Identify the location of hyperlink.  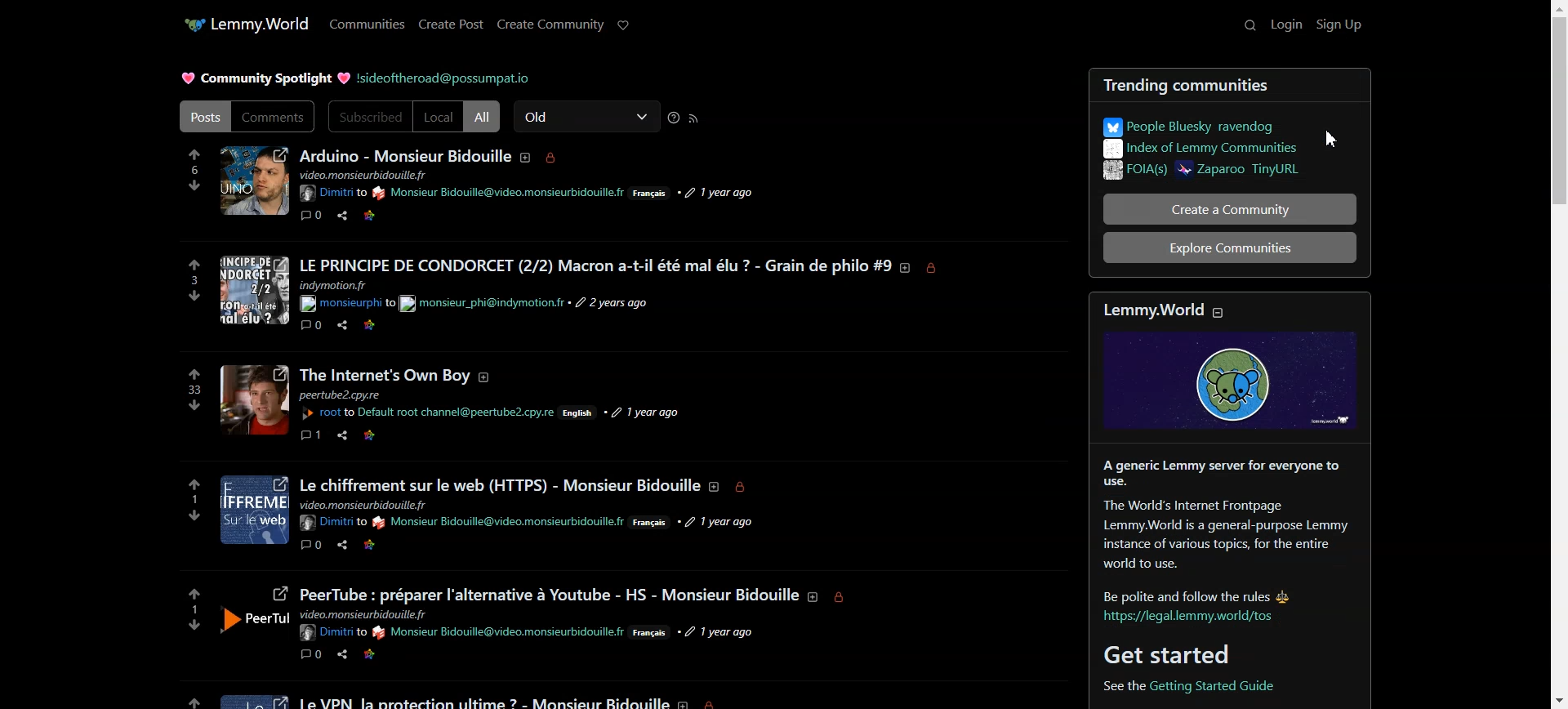
(458, 412).